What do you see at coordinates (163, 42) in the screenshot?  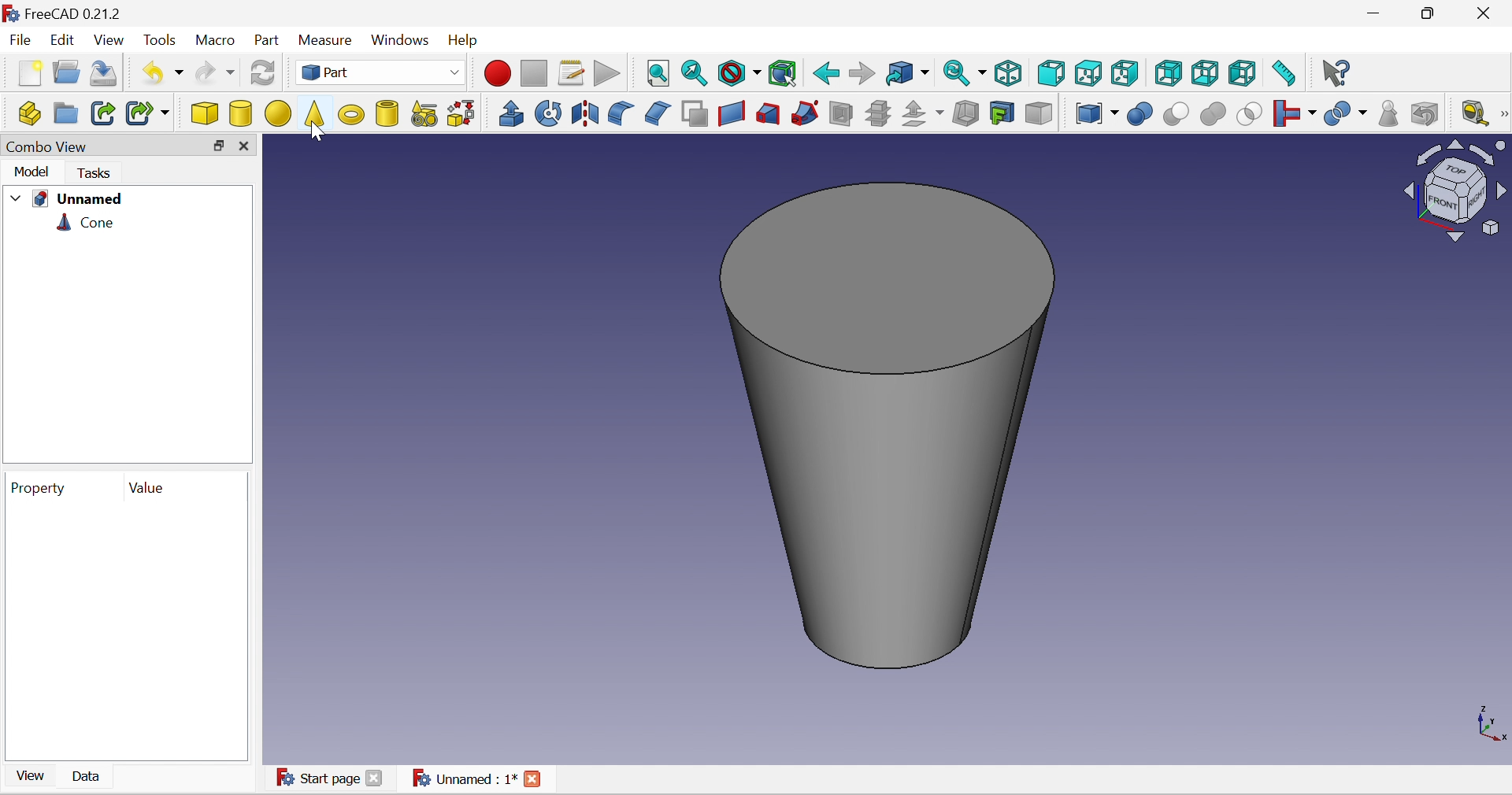 I see `Tools` at bounding box center [163, 42].